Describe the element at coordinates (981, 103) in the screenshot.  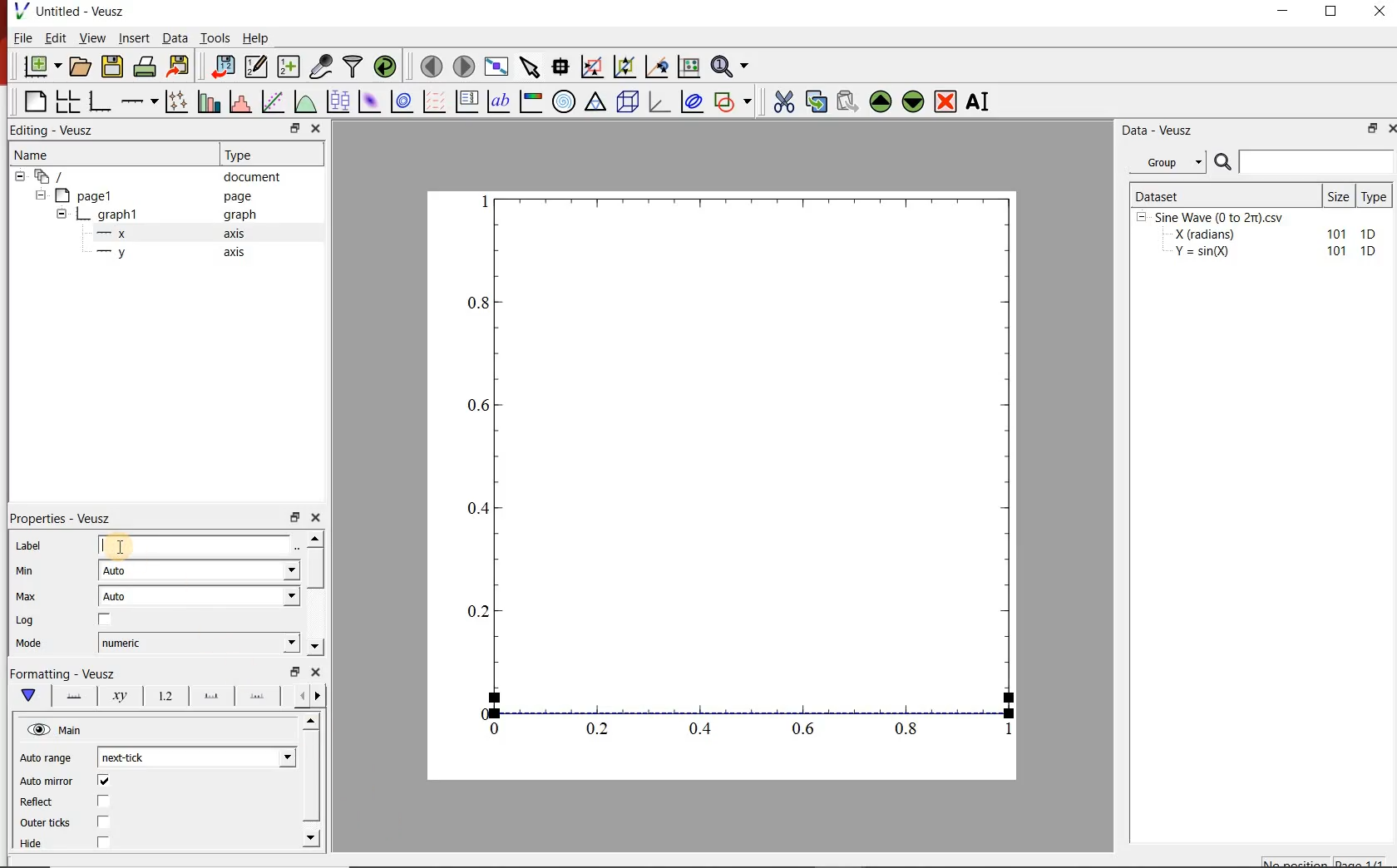
I see `rename` at that location.